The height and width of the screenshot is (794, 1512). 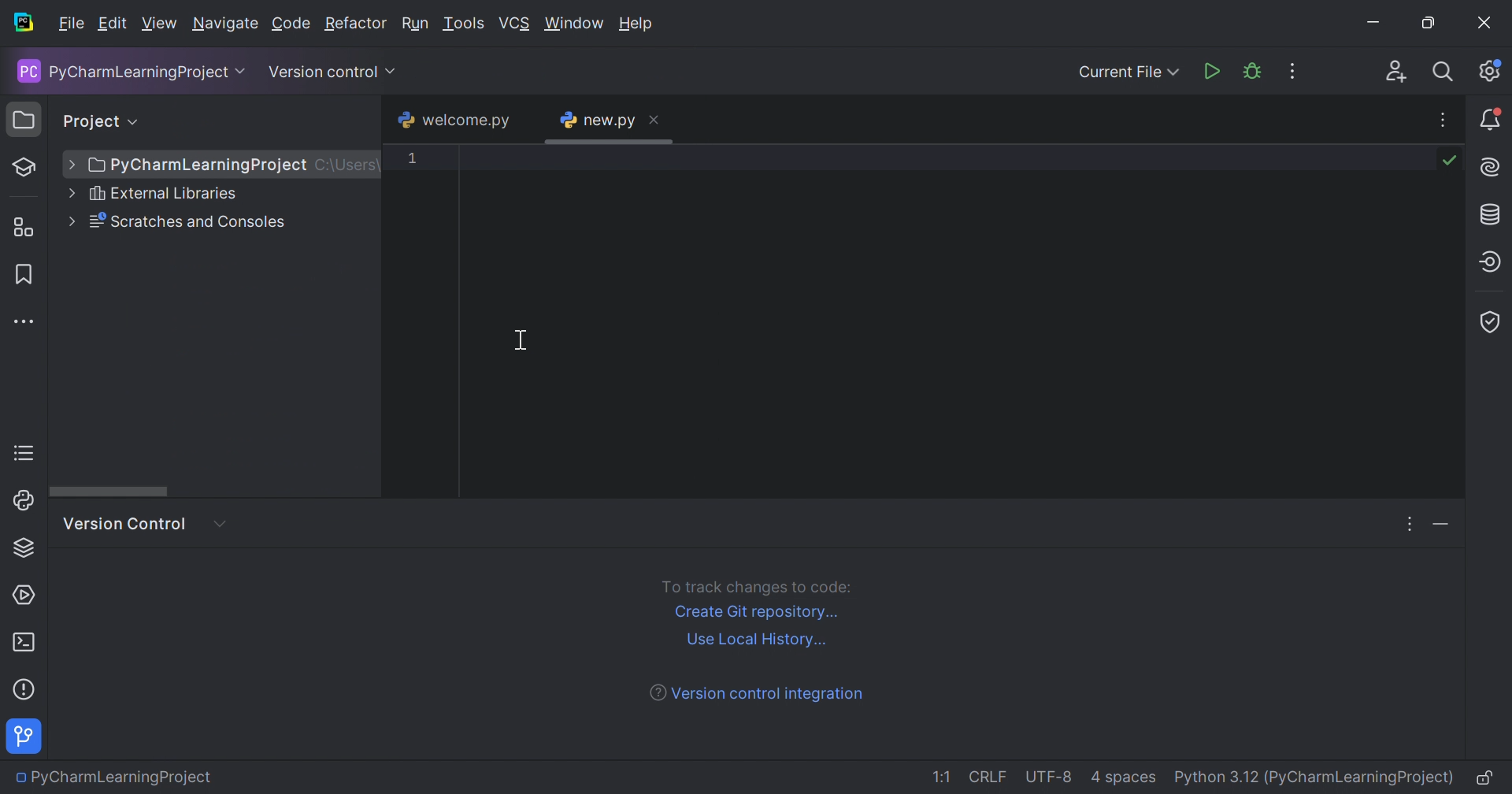 I want to click on Services, so click(x=31, y=592).